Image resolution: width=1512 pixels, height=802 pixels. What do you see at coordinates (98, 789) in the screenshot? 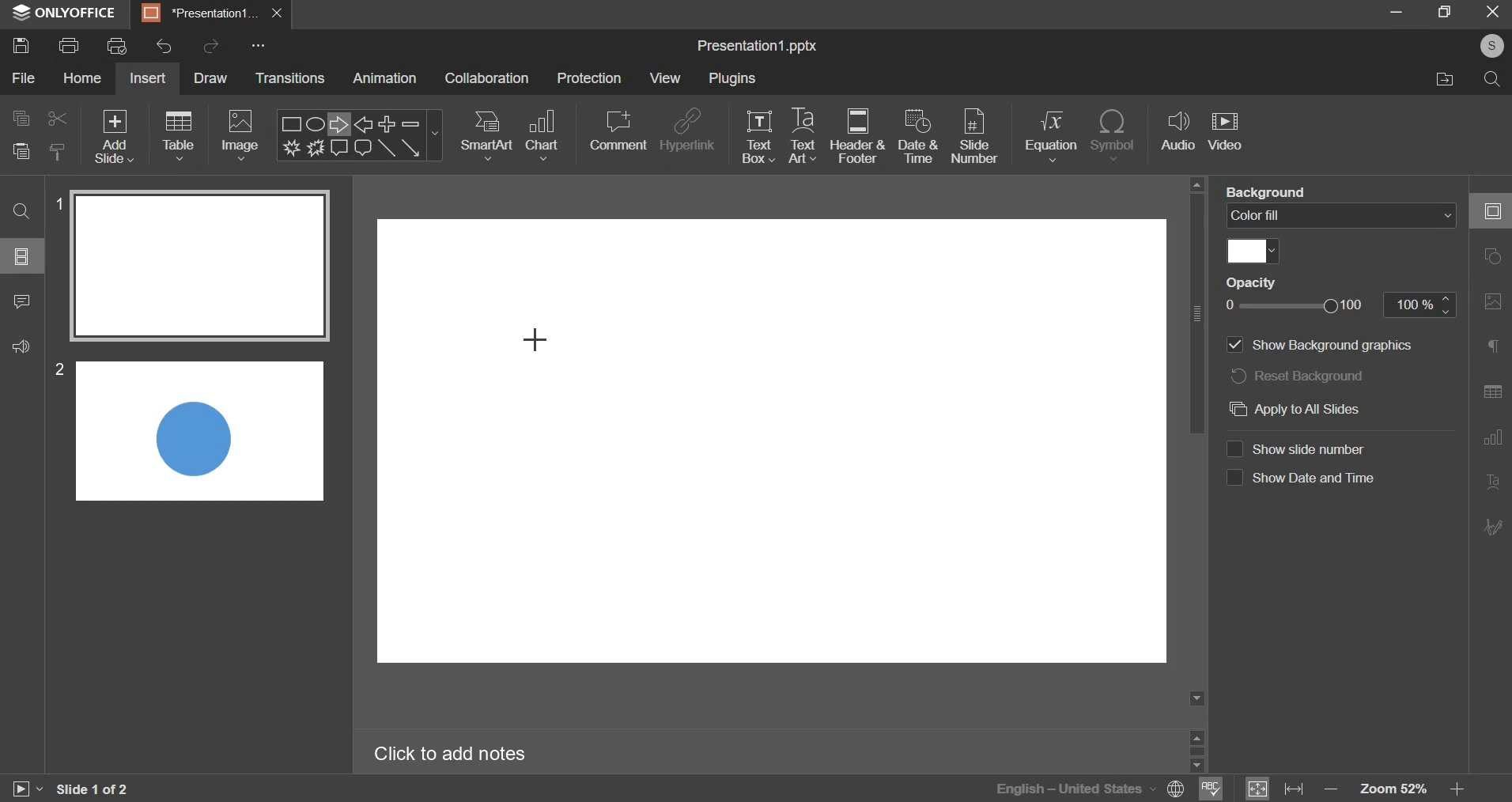
I see `slide 1 of 2` at bounding box center [98, 789].